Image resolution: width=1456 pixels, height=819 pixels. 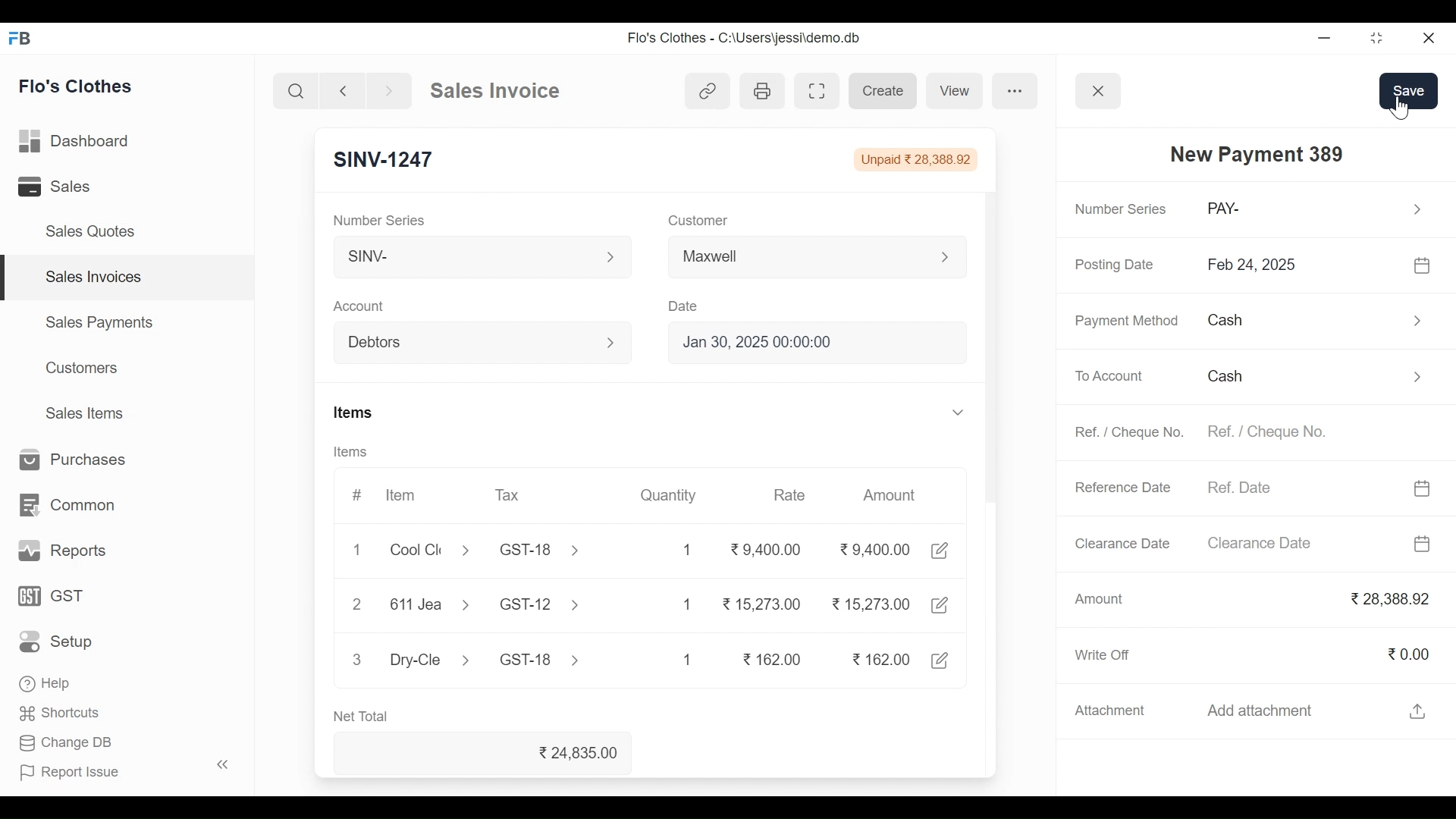 I want to click on Edit, so click(x=944, y=605).